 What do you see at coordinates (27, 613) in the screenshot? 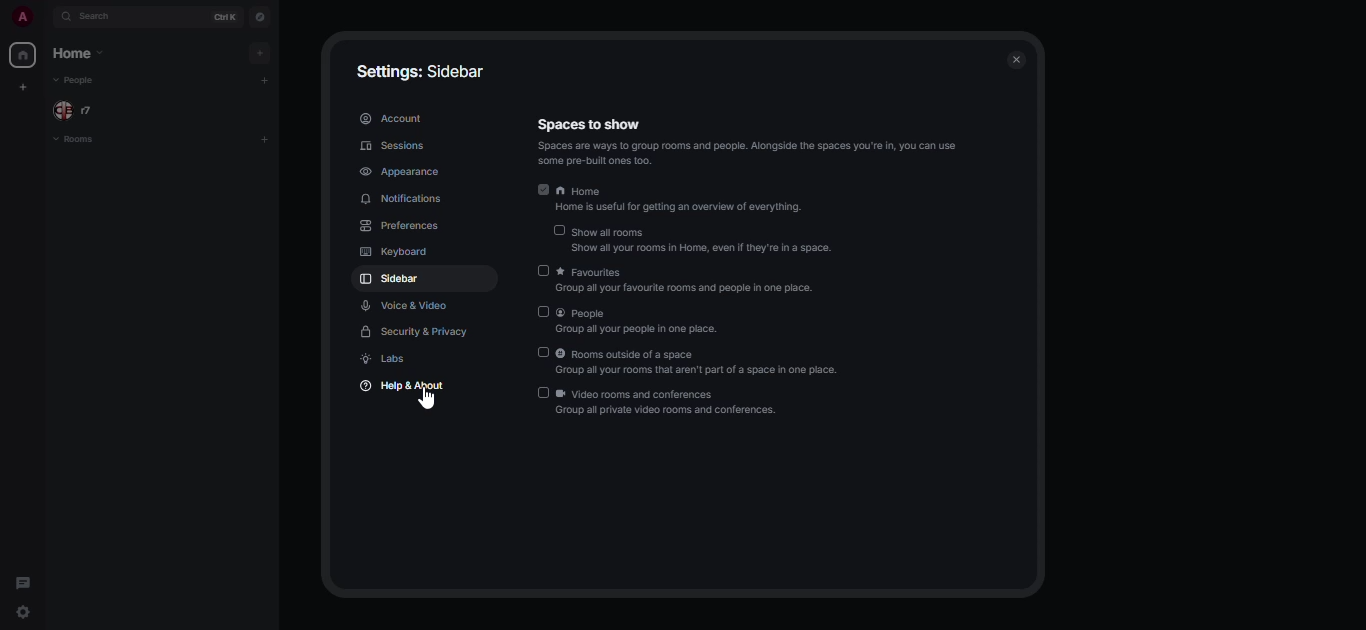
I see `quick settings` at bounding box center [27, 613].